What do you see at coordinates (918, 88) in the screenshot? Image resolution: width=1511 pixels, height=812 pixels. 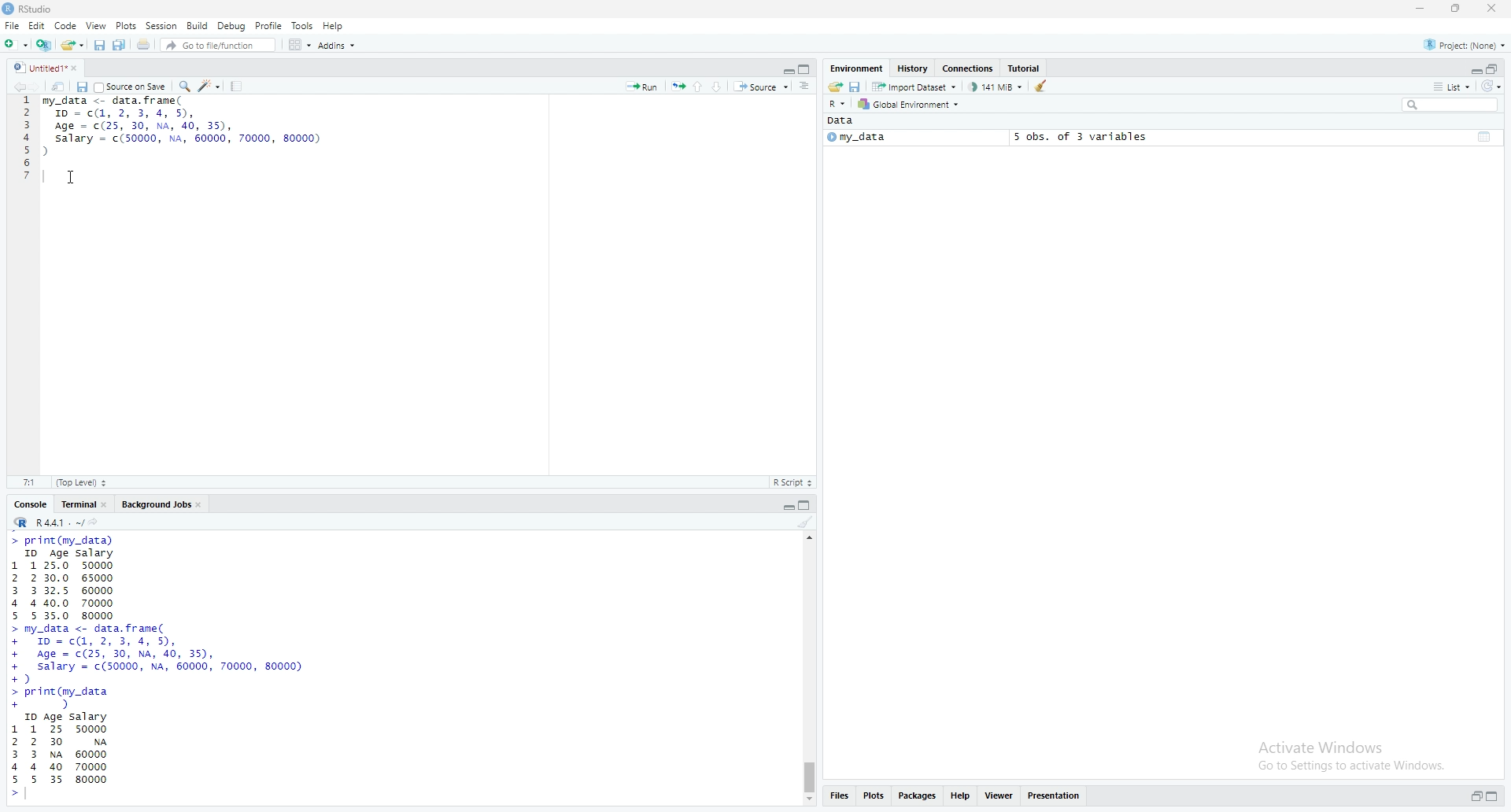 I see `import dataset` at bounding box center [918, 88].